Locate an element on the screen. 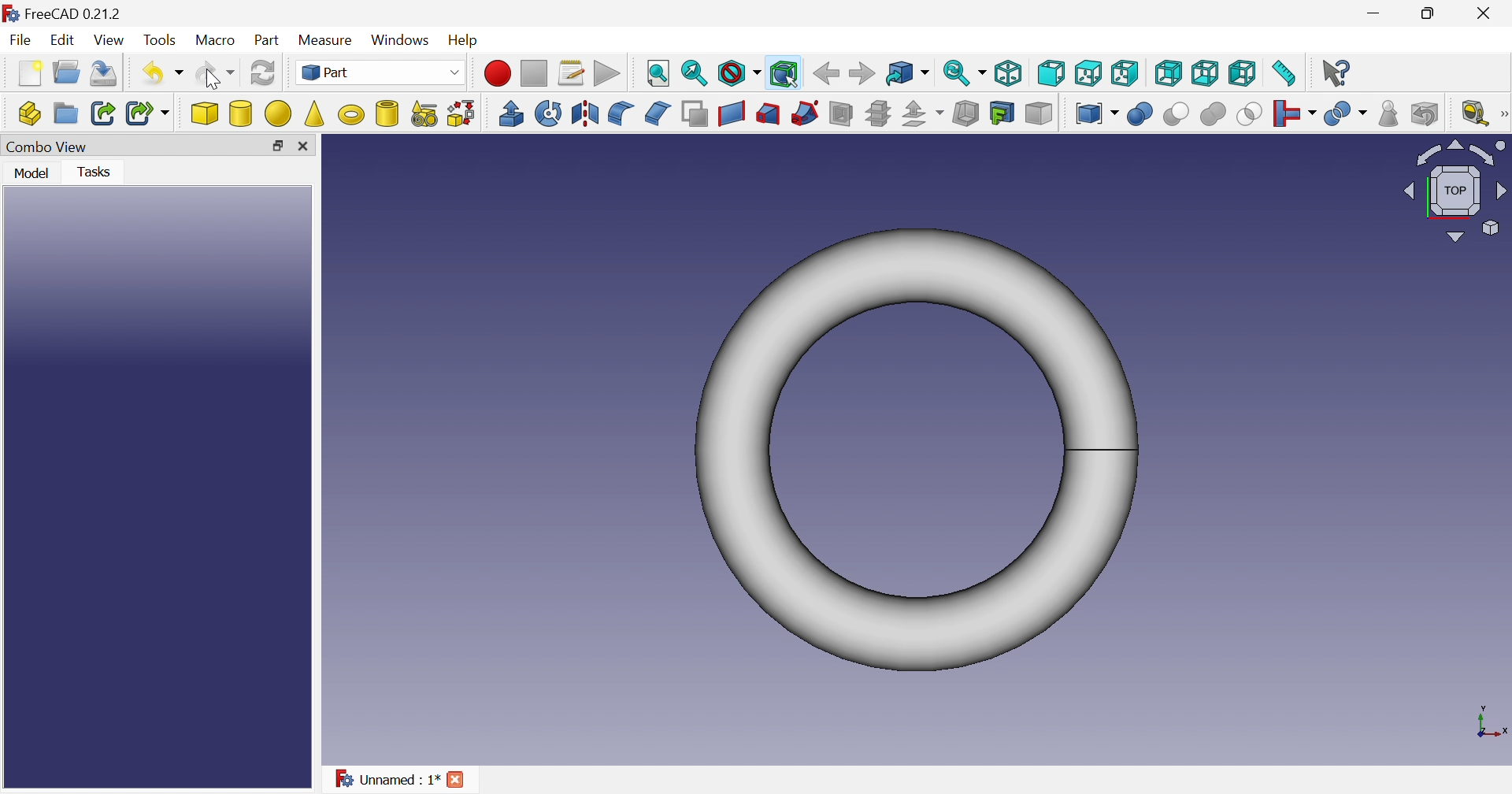  Mirroring... is located at coordinates (584, 113).